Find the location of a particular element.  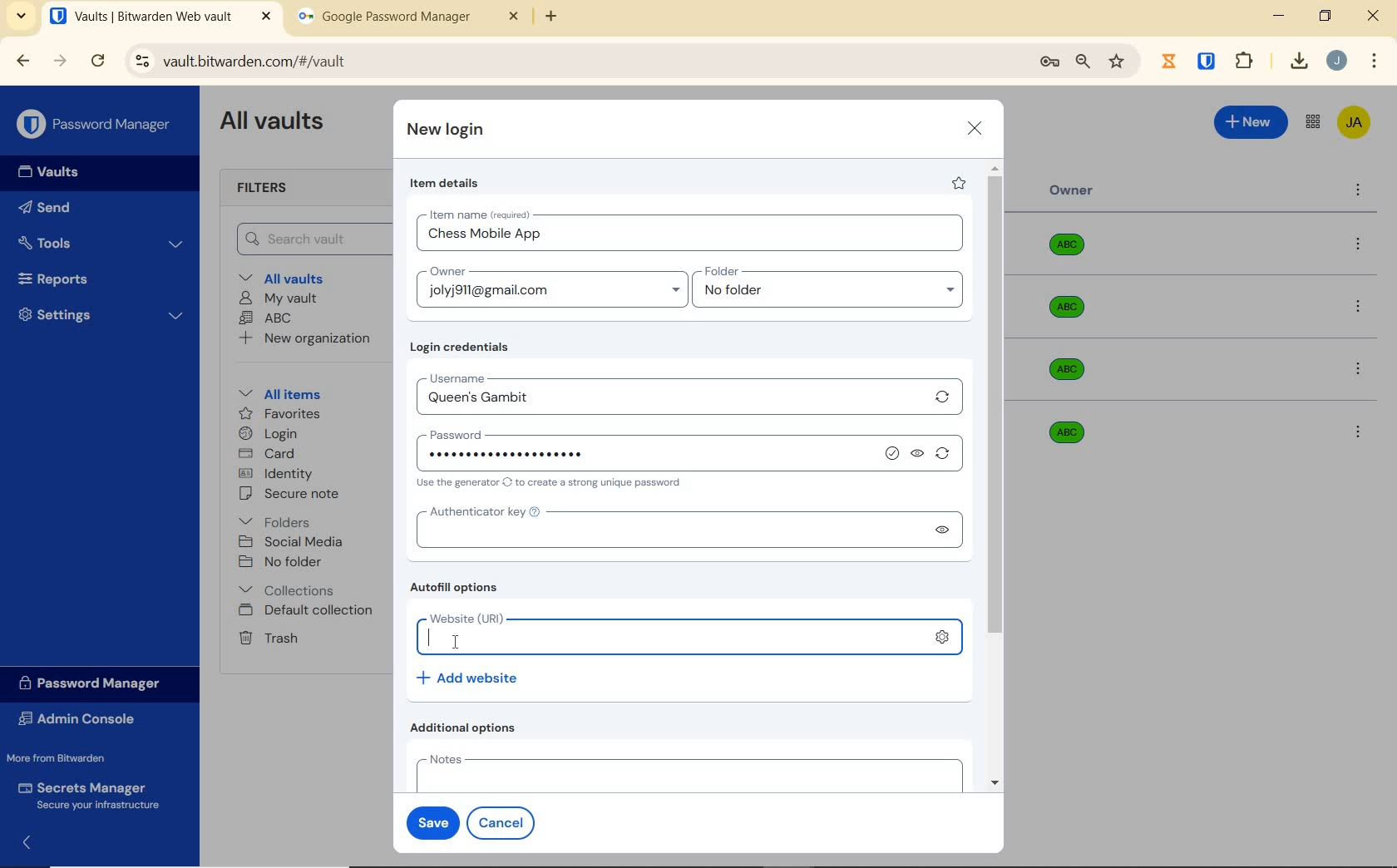

cursor is located at coordinates (457, 642).